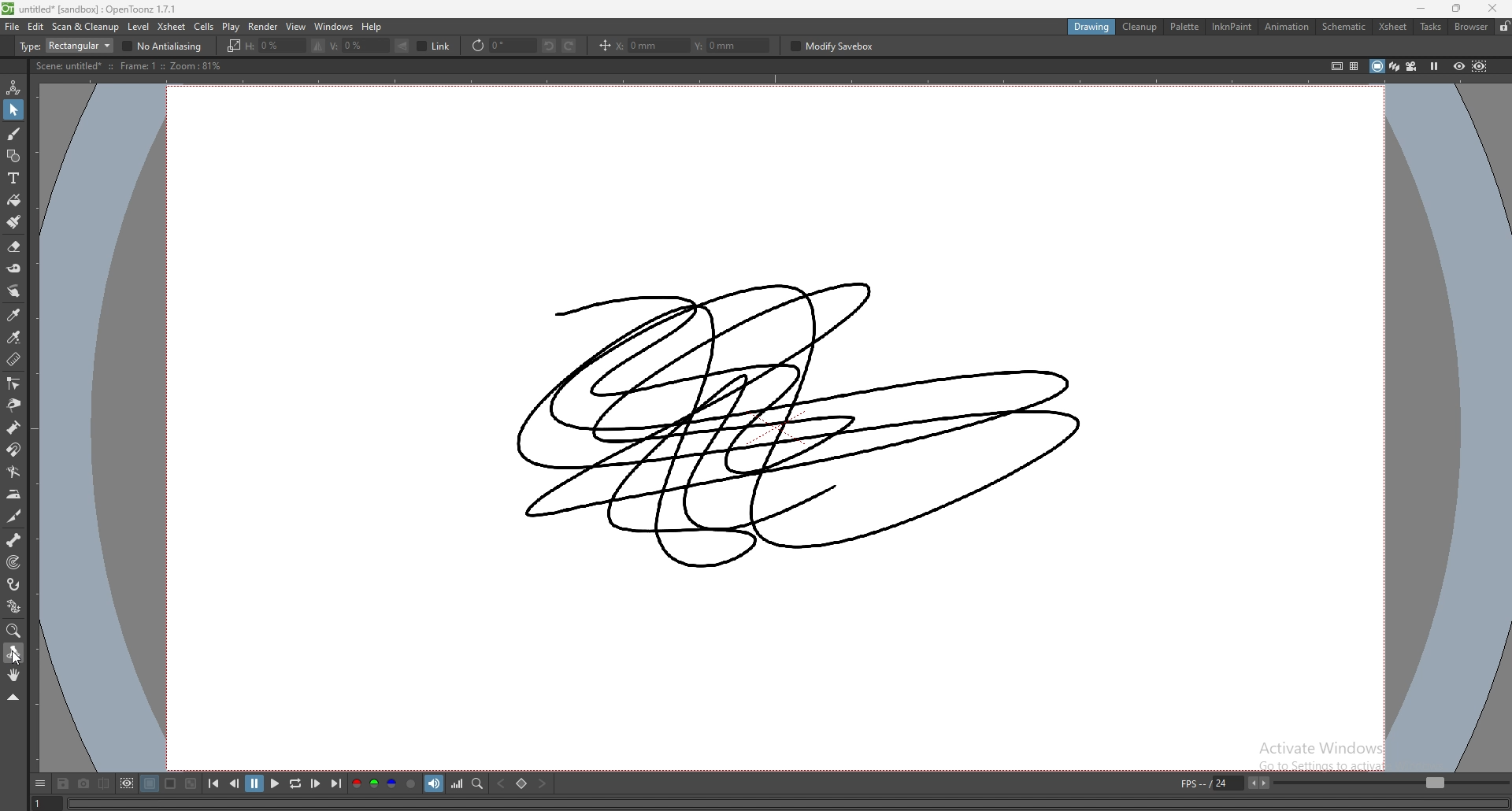 The image size is (1512, 811). Describe the element at coordinates (263, 26) in the screenshot. I see `render` at that location.